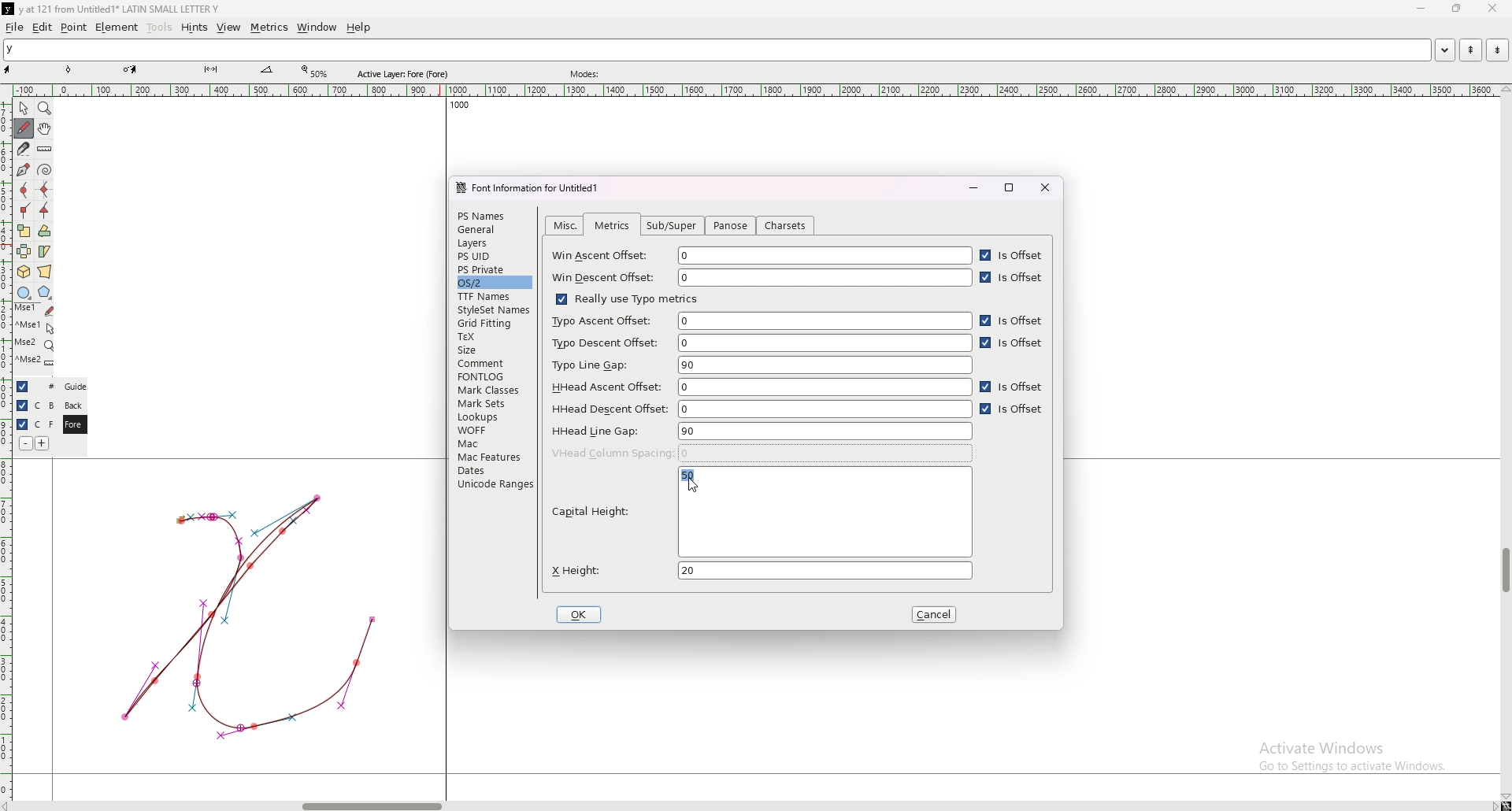 Image resolution: width=1512 pixels, height=811 pixels. What do you see at coordinates (248, 615) in the screenshot?
I see `graph` at bounding box center [248, 615].